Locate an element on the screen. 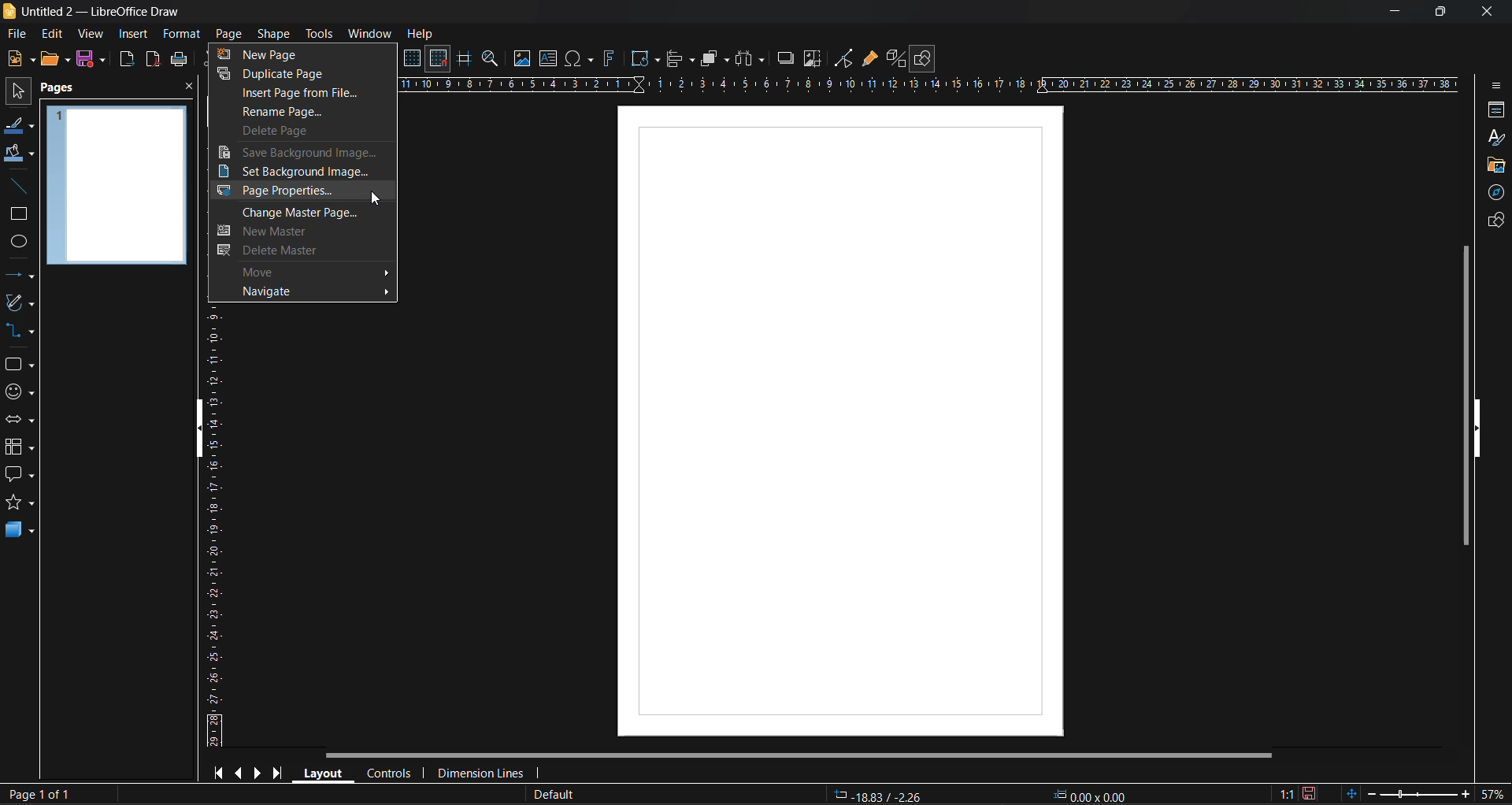 The width and height of the screenshot is (1512, 805). shapes is located at coordinates (1494, 222).